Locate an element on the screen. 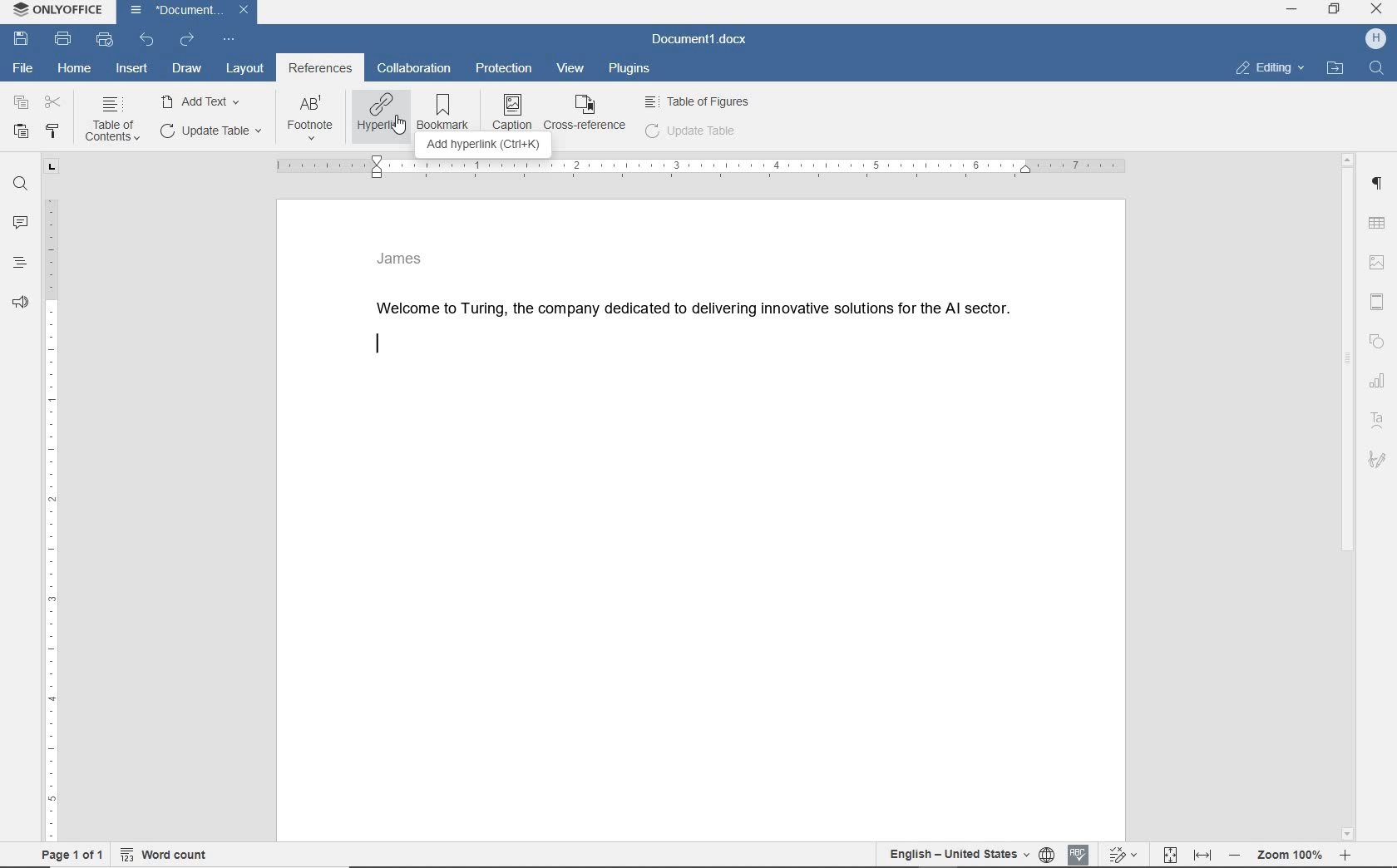 The image size is (1397, 868). fit topage is located at coordinates (1169, 855).